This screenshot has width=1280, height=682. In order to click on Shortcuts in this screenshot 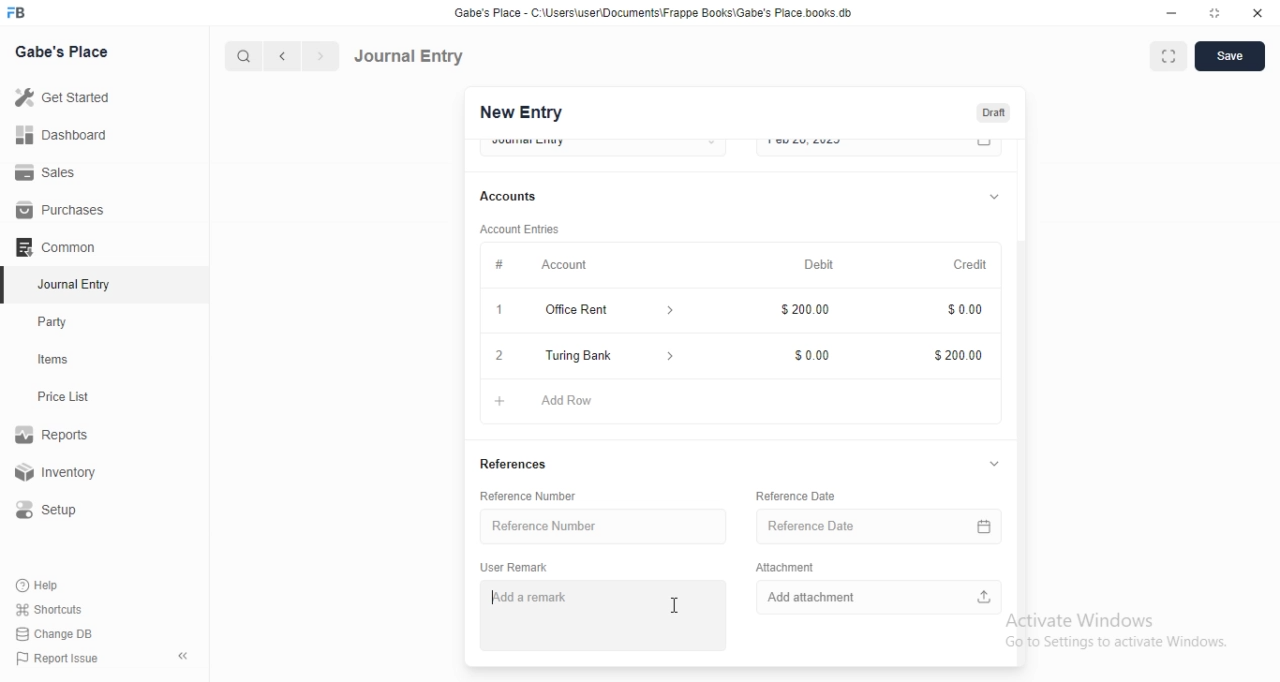, I will do `click(49, 608)`.